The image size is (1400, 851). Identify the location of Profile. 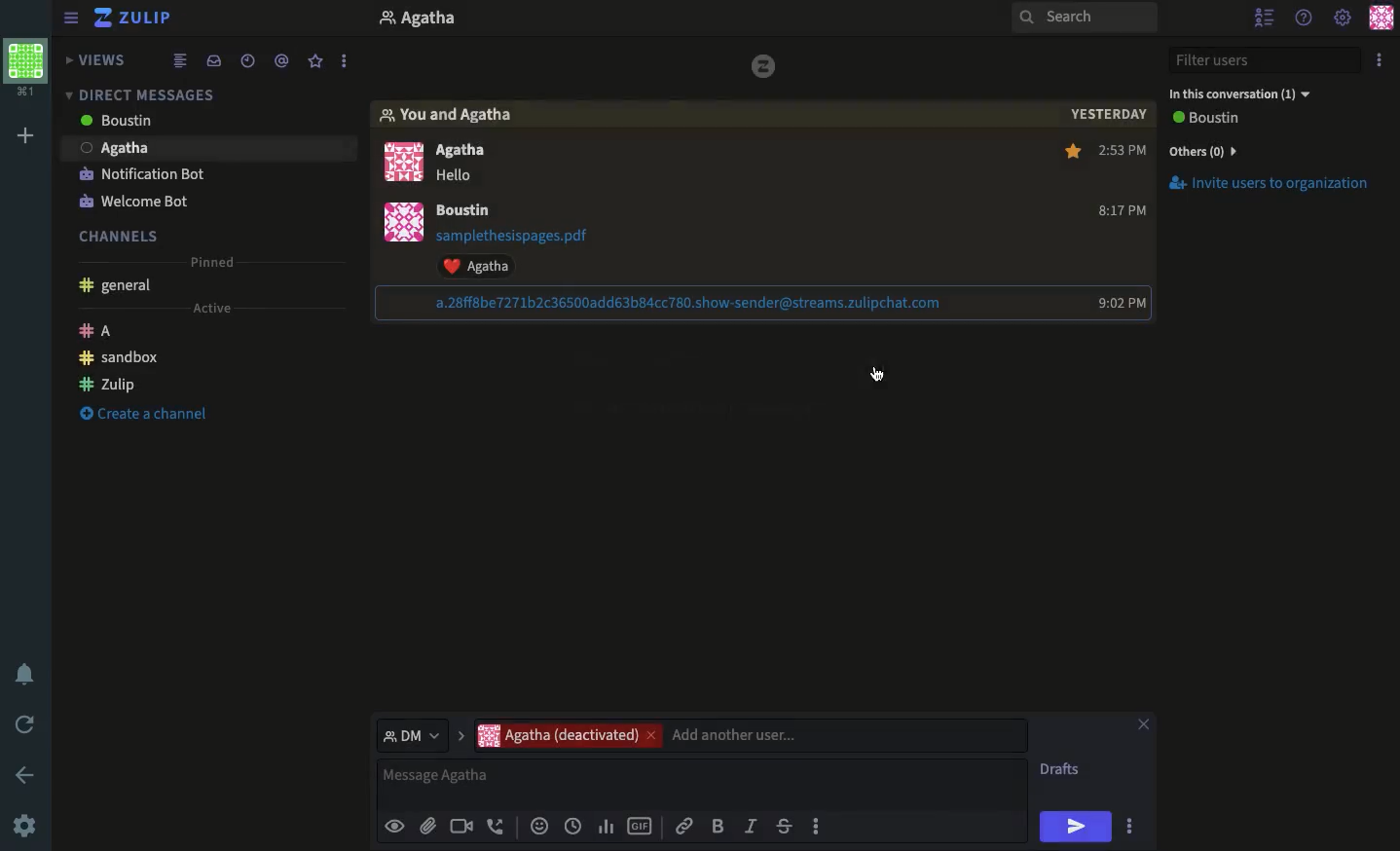
(26, 71).